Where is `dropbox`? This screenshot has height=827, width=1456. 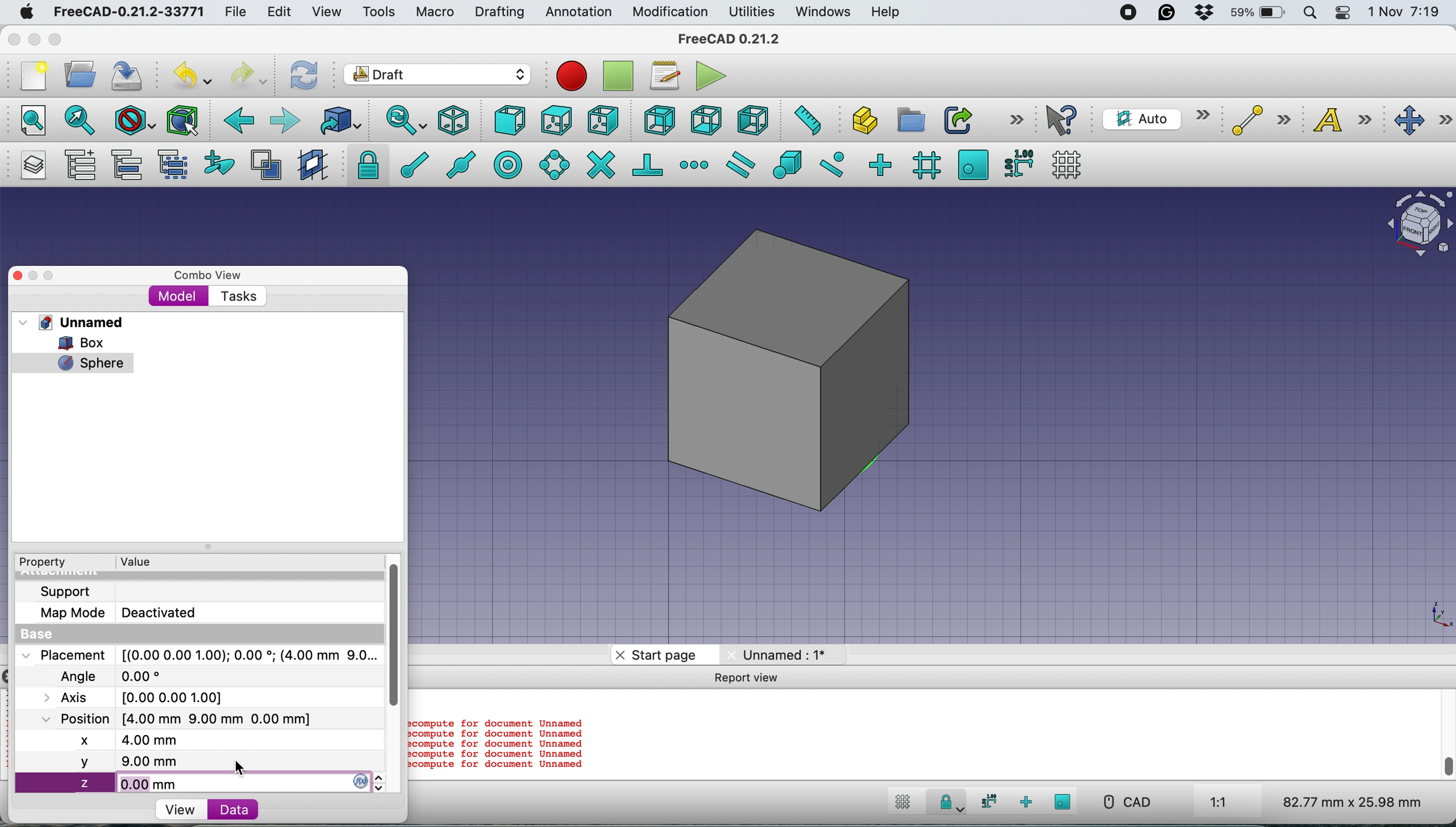
dropbox is located at coordinates (1199, 14).